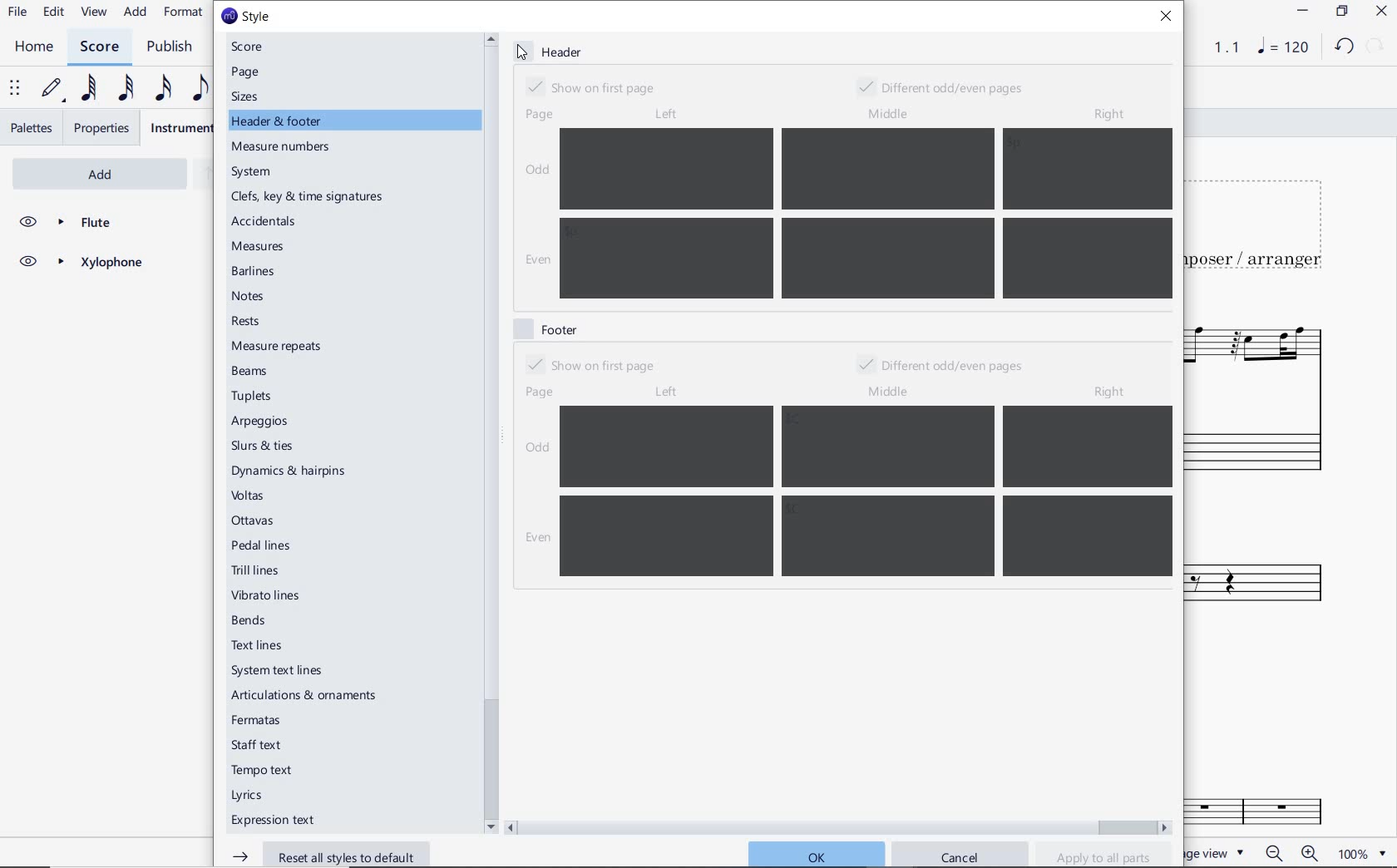 The height and width of the screenshot is (868, 1397). What do you see at coordinates (263, 447) in the screenshot?
I see `slurs & ties` at bounding box center [263, 447].